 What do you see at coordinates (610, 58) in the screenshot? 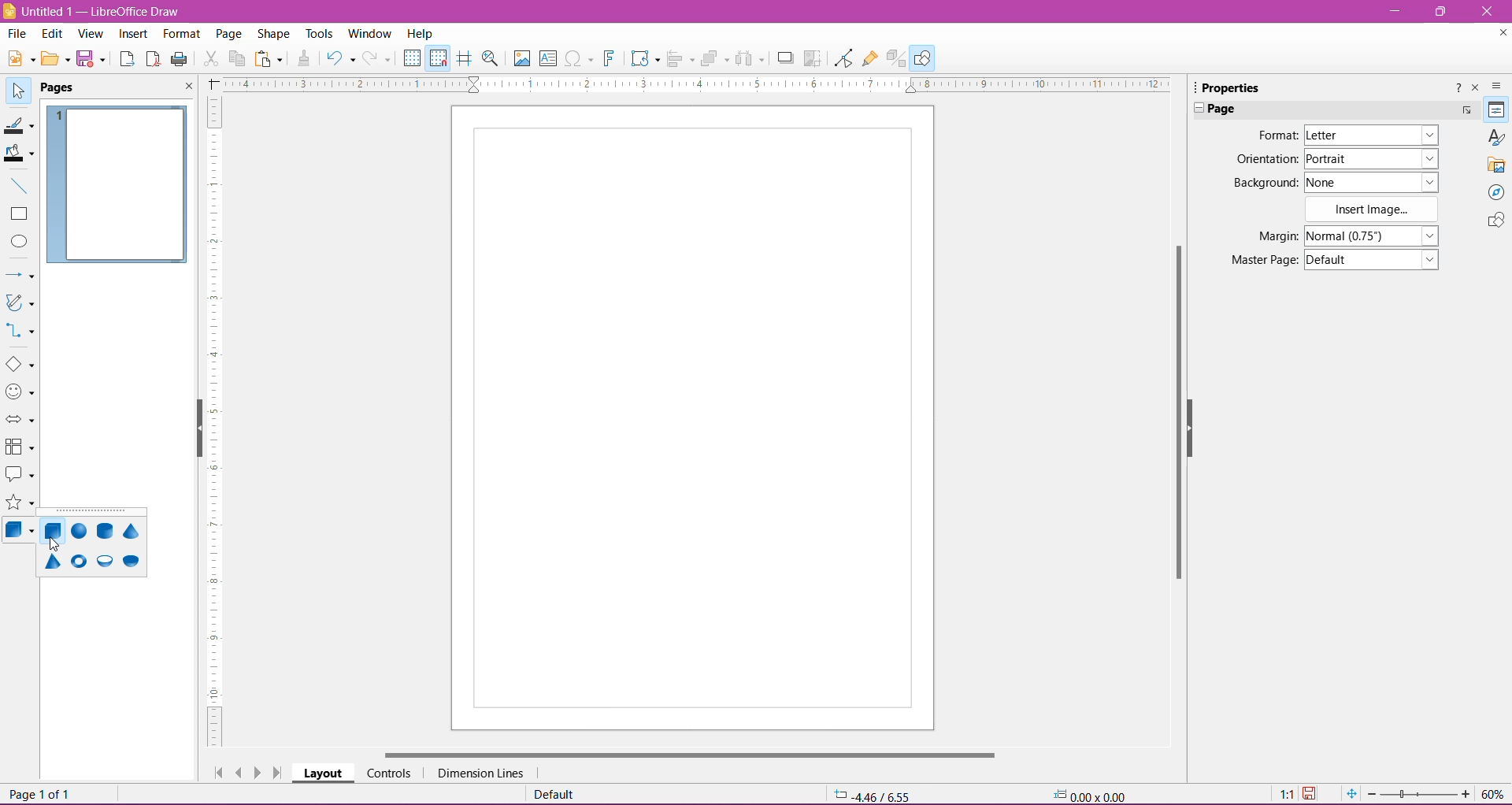
I see `Insert Fontwork Text` at bounding box center [610, 58].